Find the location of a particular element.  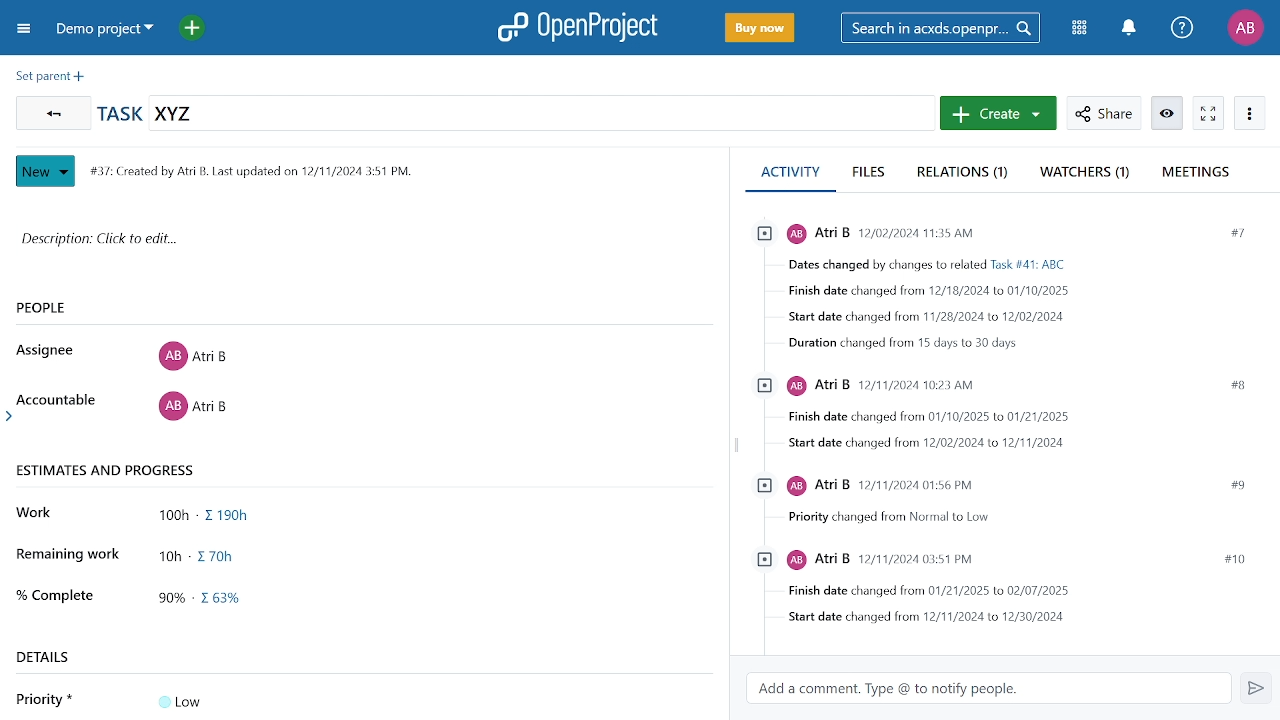

Create is located at coordinates (997, 112).